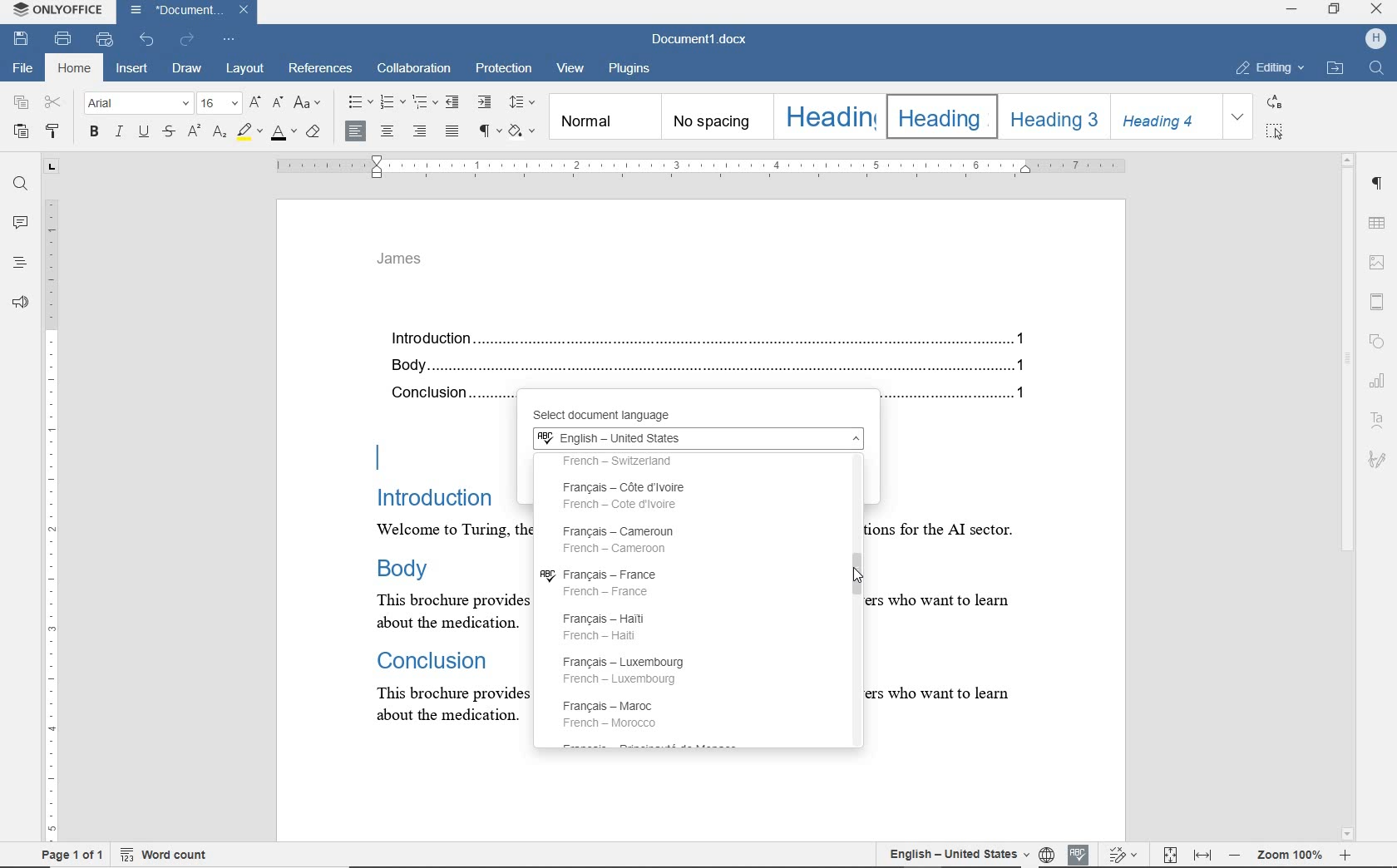  I want to click on text, so click(442, 565).